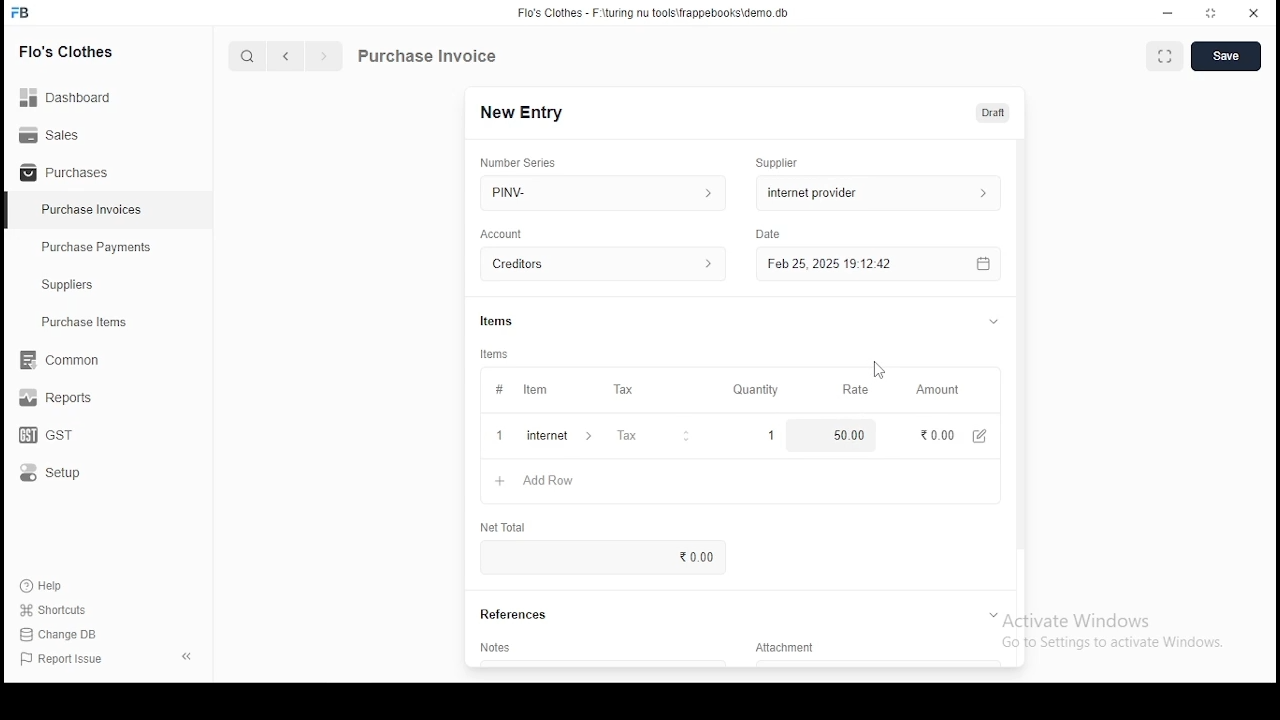 This screenshot has height=720, width=1280. Describe the element at coordinates (936, 390) in the screenshot. I see `amount` at that location.